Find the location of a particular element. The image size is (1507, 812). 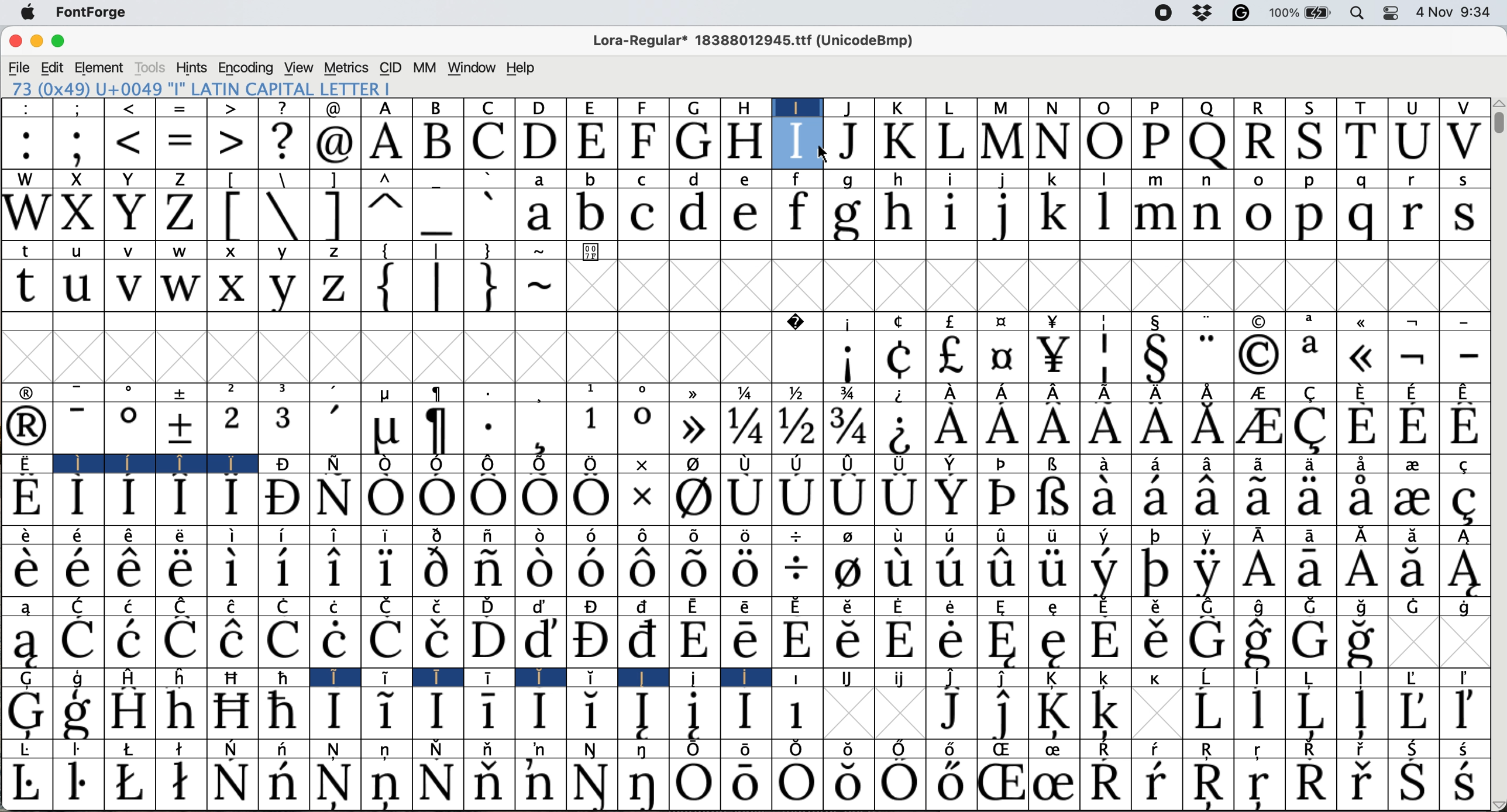

y is located at coordinates (283, 251).